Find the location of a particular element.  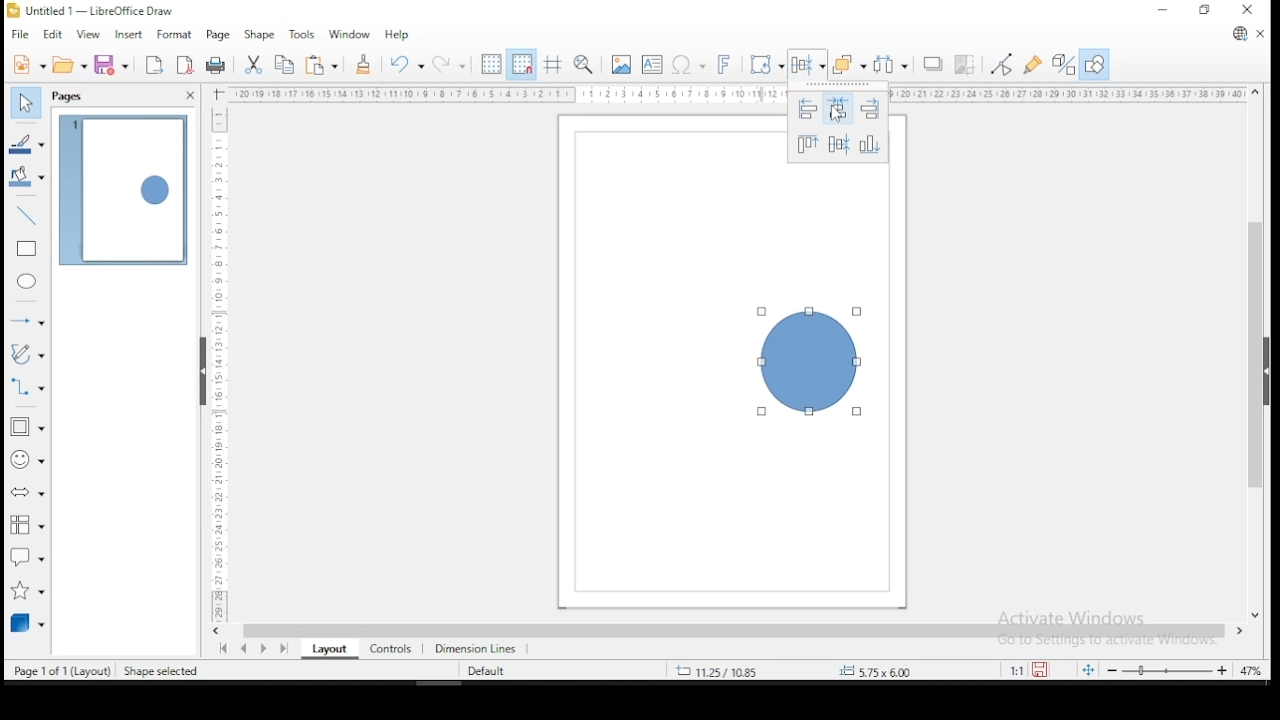

stars and banners is located at coordinates (29, 586).